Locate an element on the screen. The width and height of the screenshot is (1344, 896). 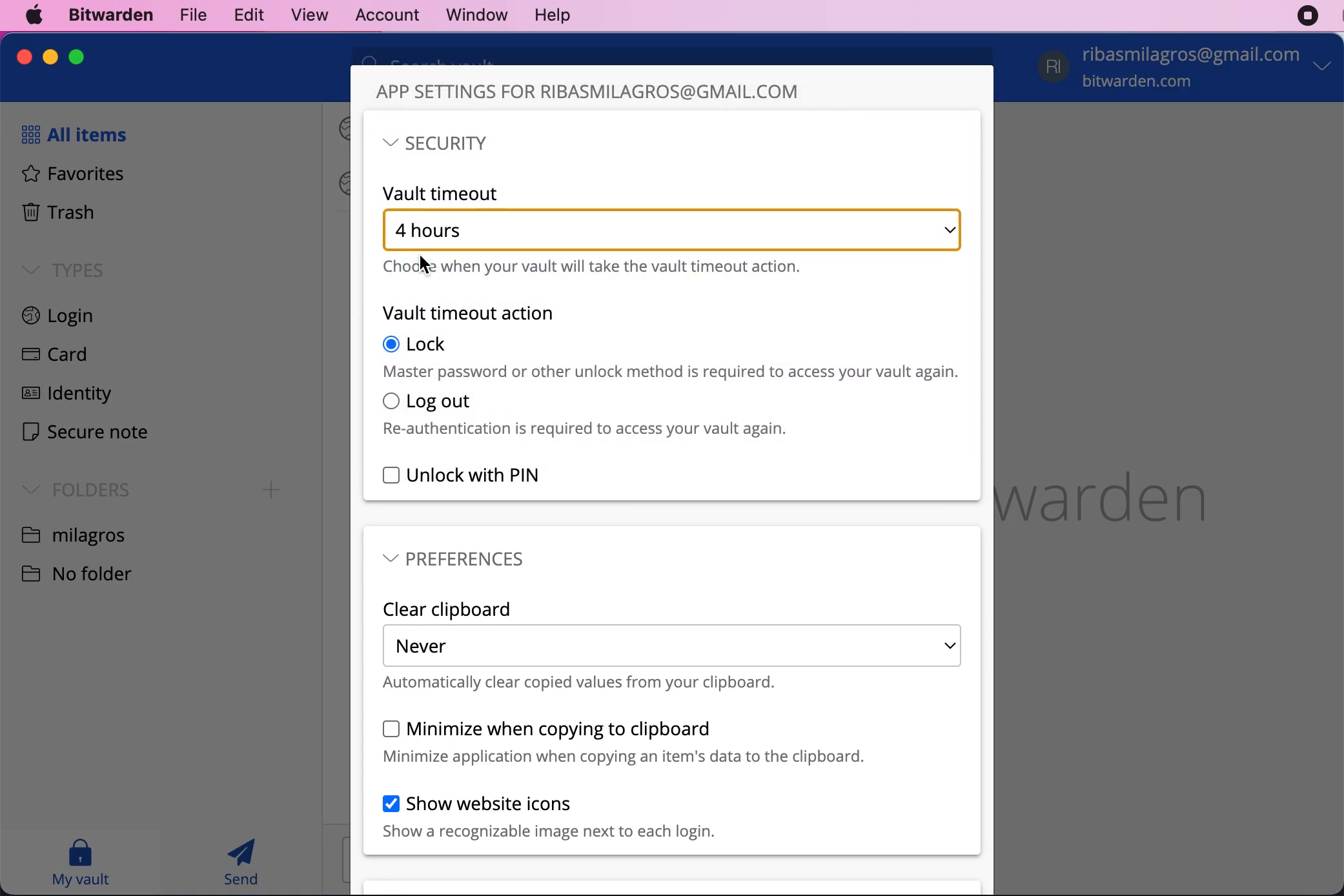
security is located at coordinates (436, 144).